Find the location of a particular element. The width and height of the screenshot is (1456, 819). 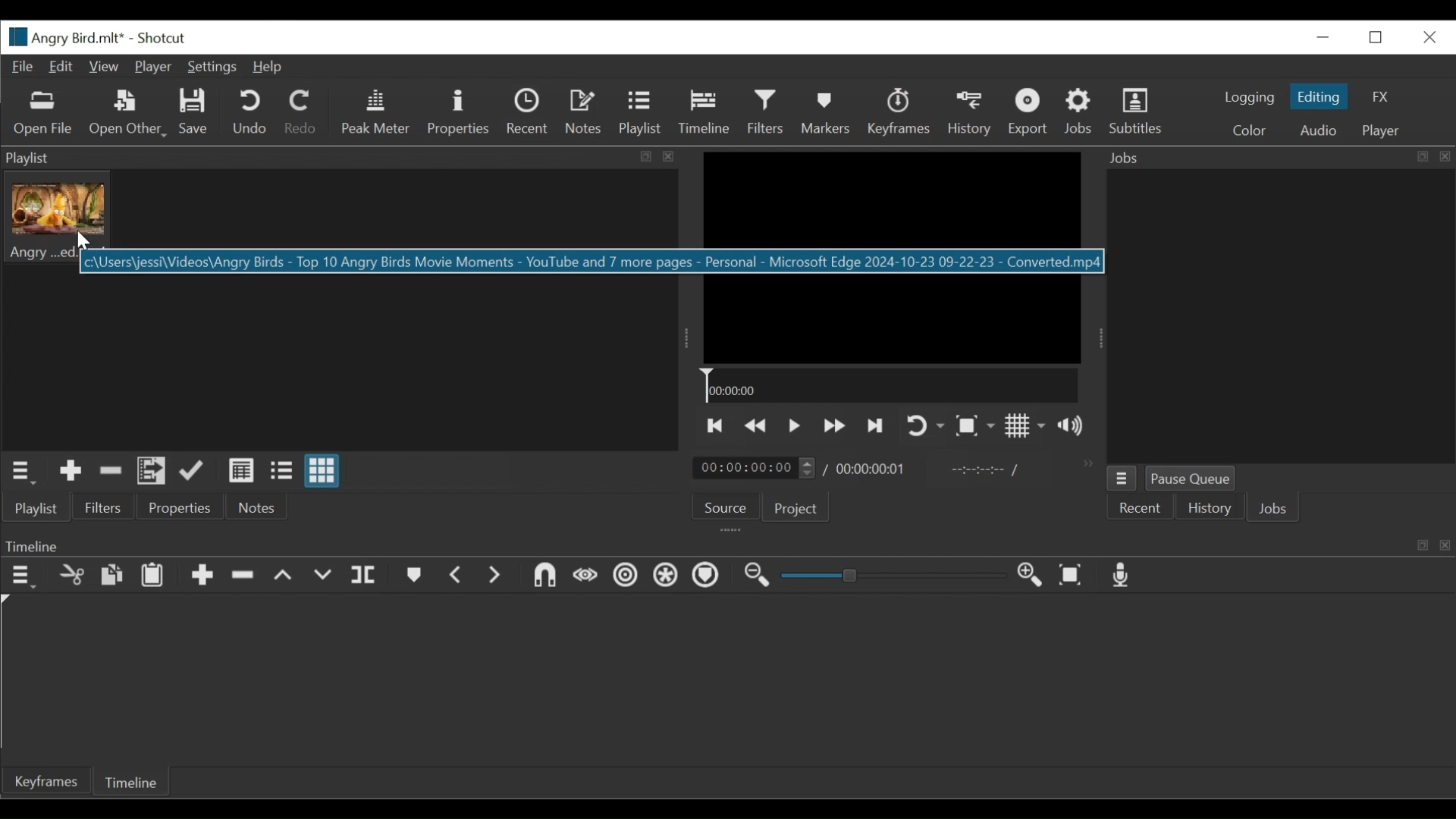

Update is located at coordinates (193, 471).